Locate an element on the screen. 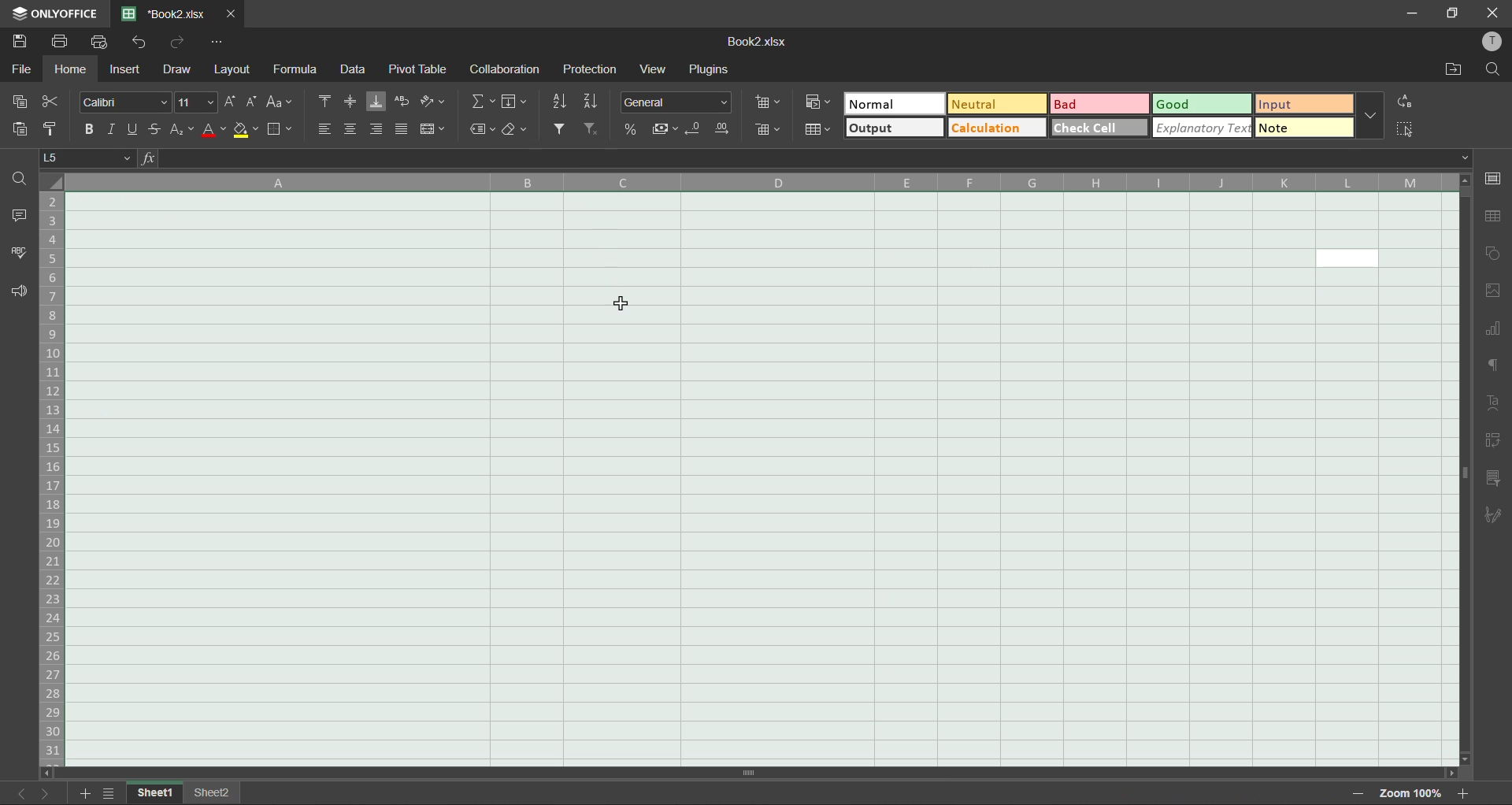 The height and width of the screenshot is (805, 1512). text is located at coordinates (1494, 402).